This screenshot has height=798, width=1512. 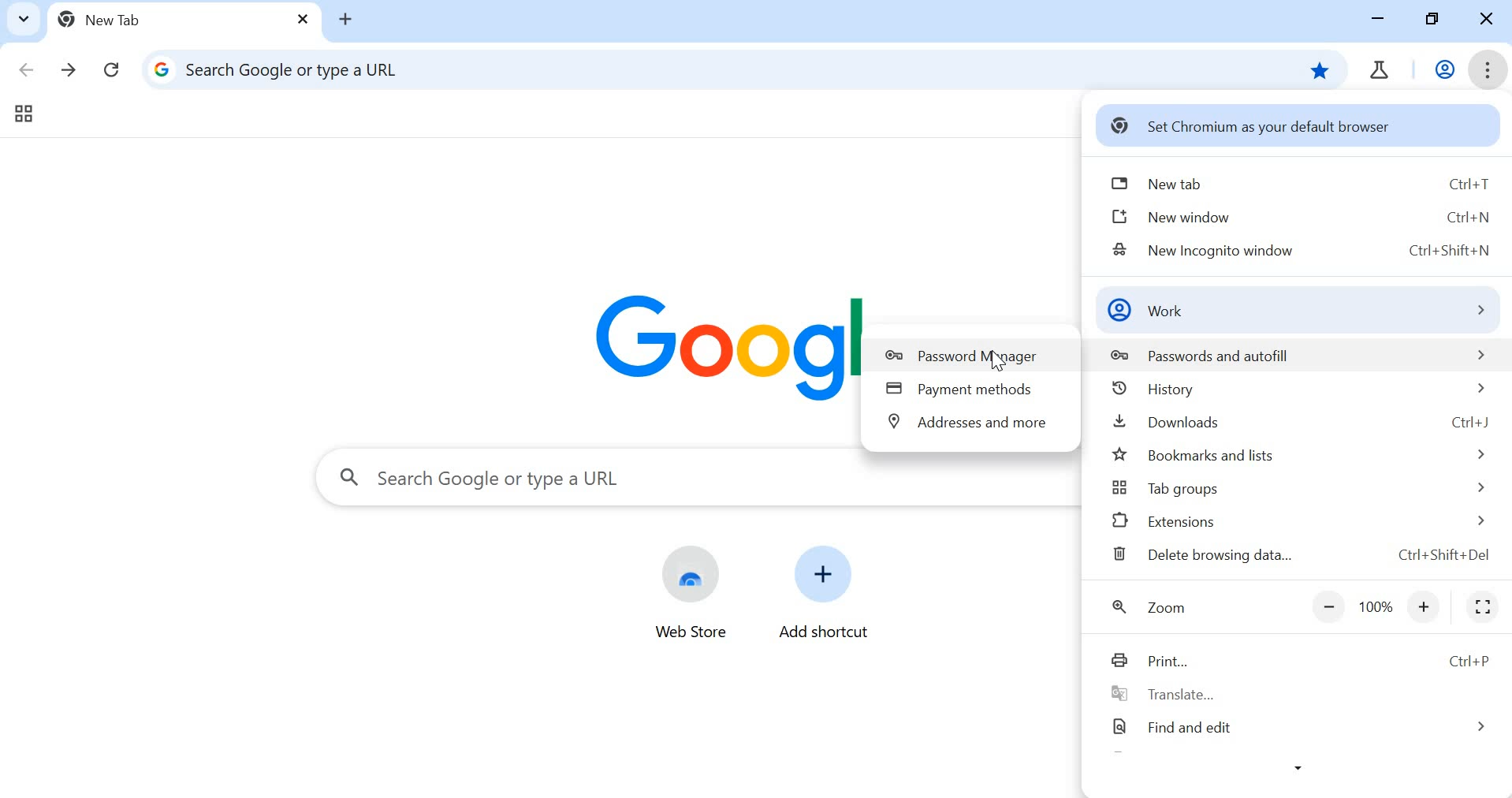 I want to click on close, so click(x=1487, y=22).